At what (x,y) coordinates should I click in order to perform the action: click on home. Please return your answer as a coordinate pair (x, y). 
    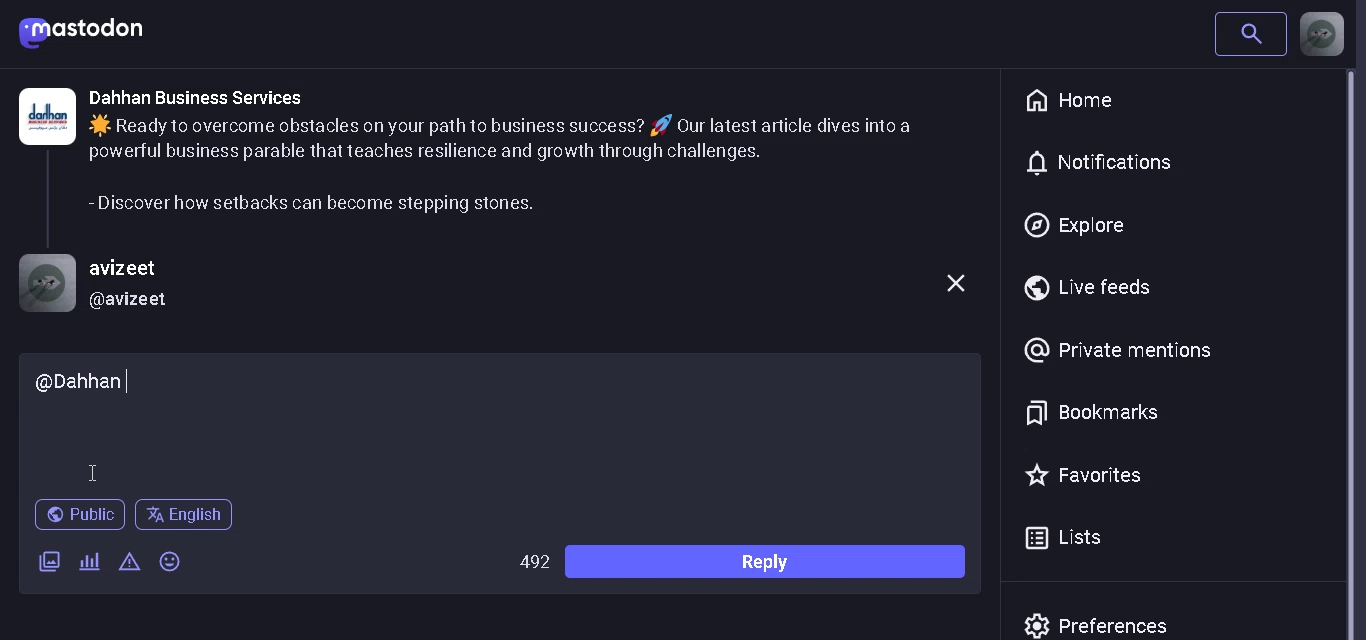
    Looking at the image, I should click on (1076, 101).